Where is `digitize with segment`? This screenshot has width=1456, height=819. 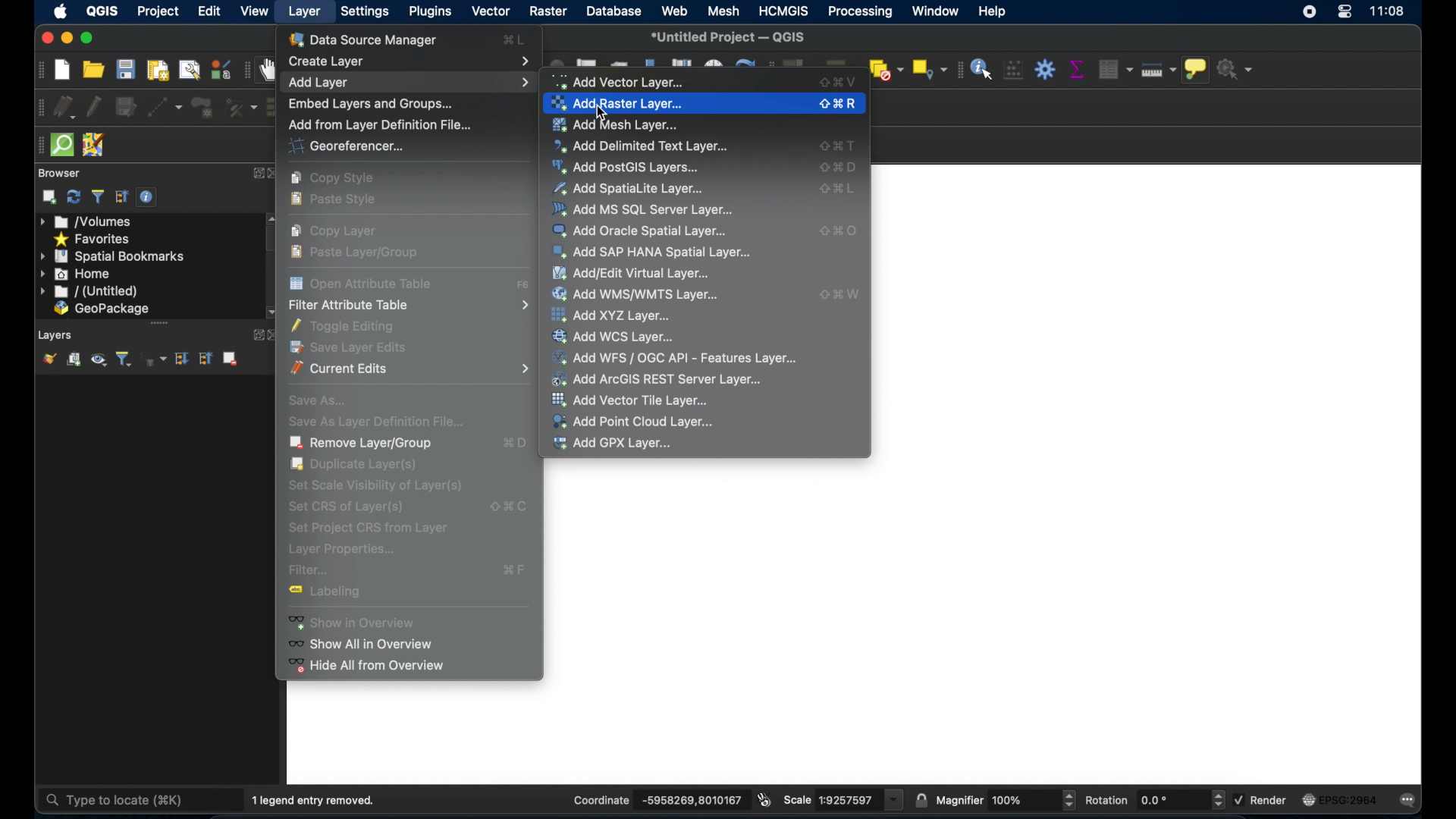
digitize with segment is located at coordinates (165, 107).